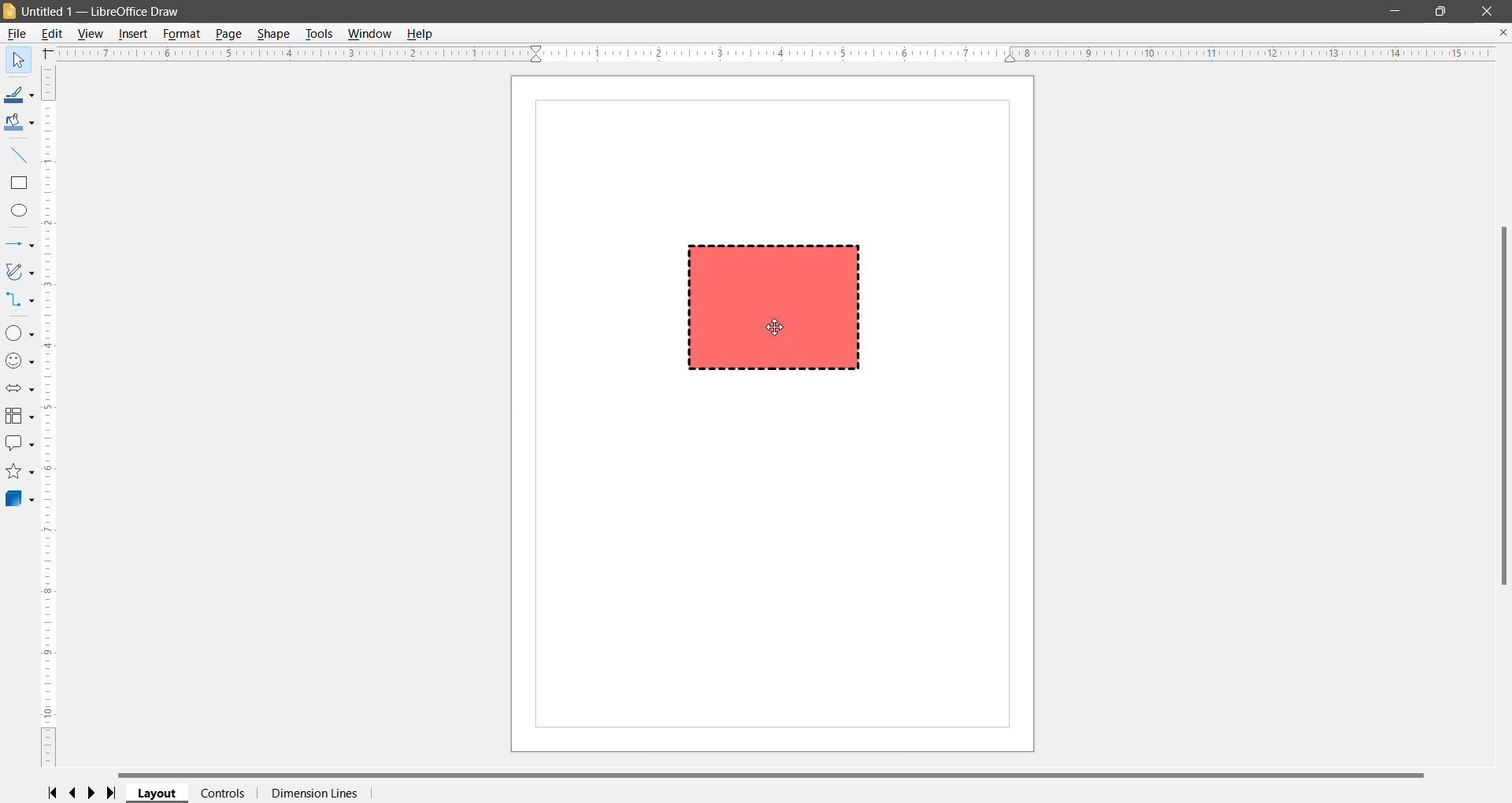 The height and width of the screenshot is (803, 1512). I want to click on Page, so click(229, 34).